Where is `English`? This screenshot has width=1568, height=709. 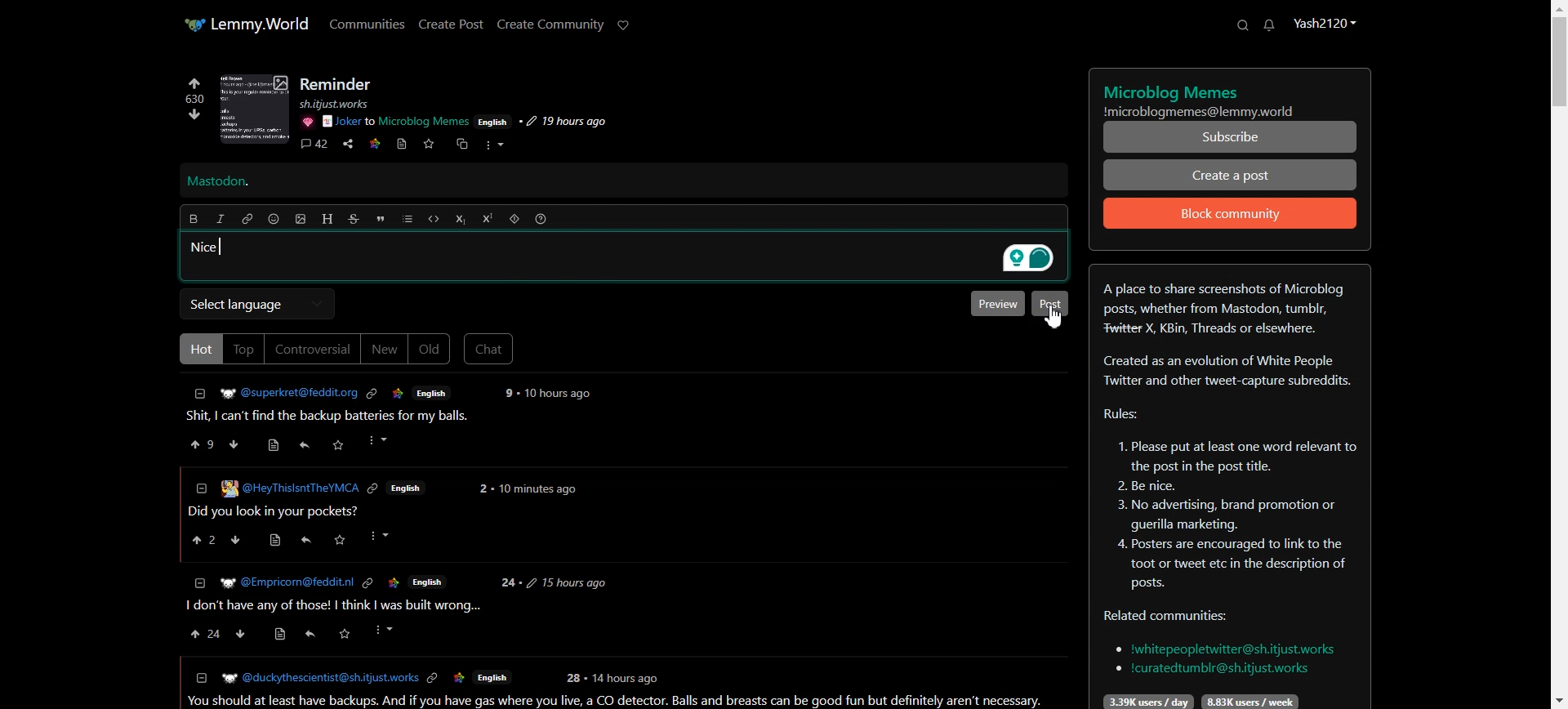 English is located at coordinates (432, 392).